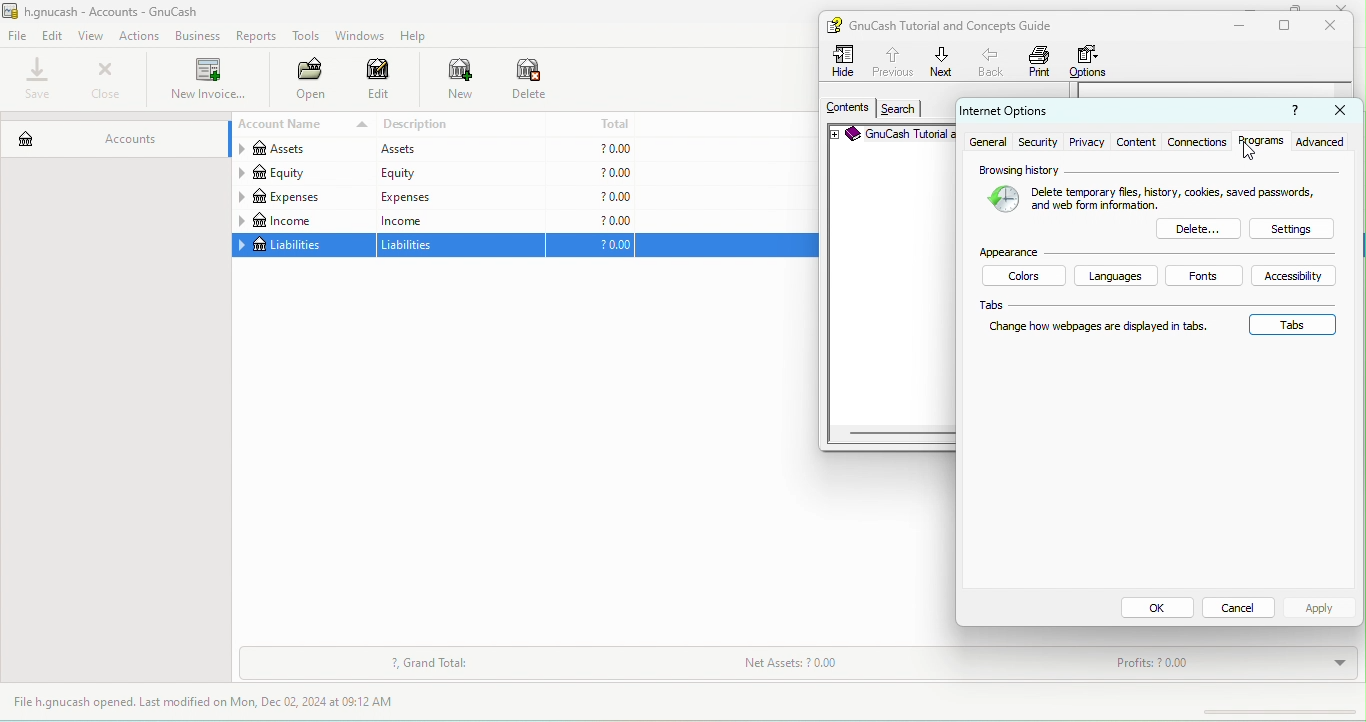 The height and width of the screenshot is (722, 1366). I want to click on tools, so click(307, 38).